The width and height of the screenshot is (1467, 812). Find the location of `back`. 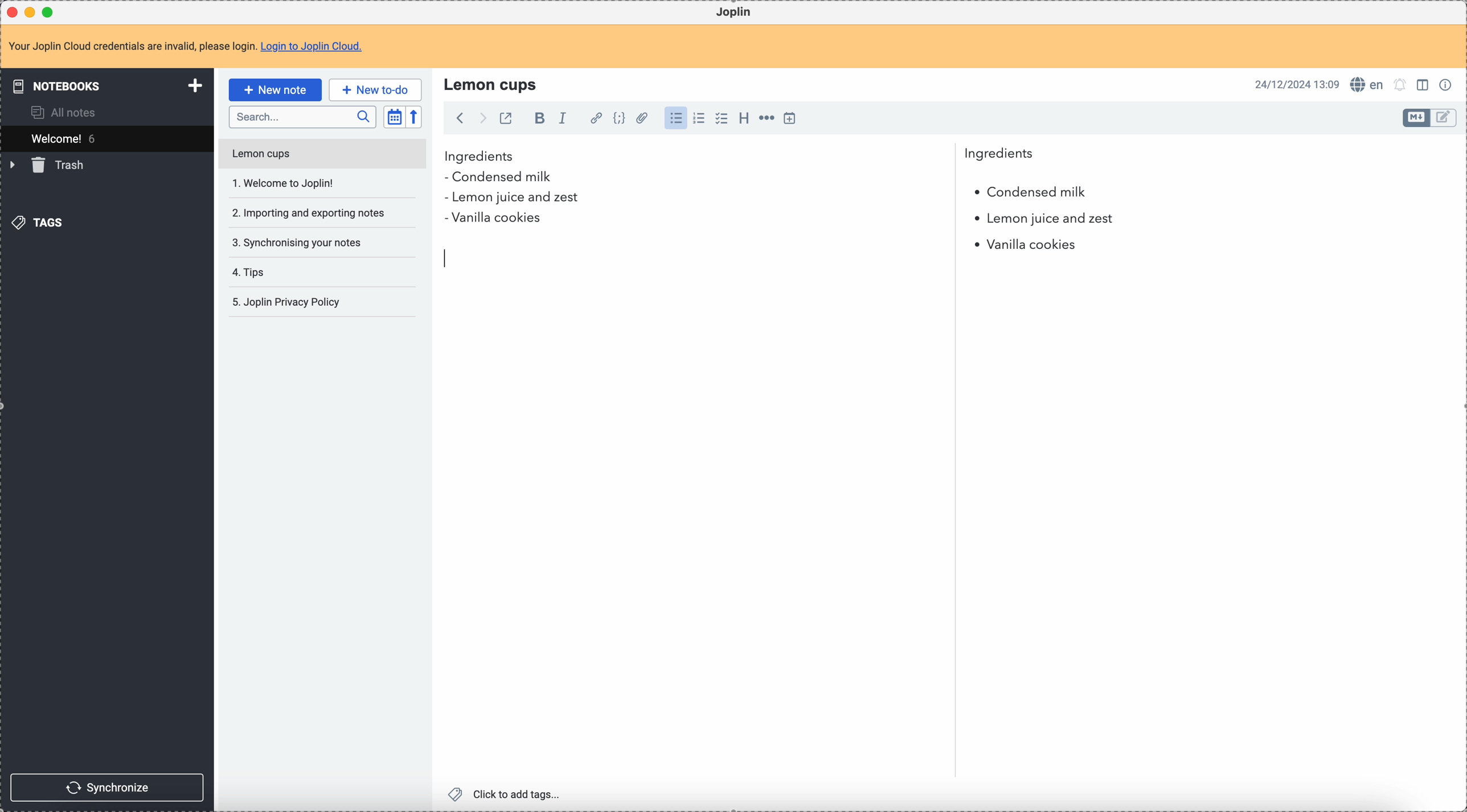

back is located at coordinates (460, 118).